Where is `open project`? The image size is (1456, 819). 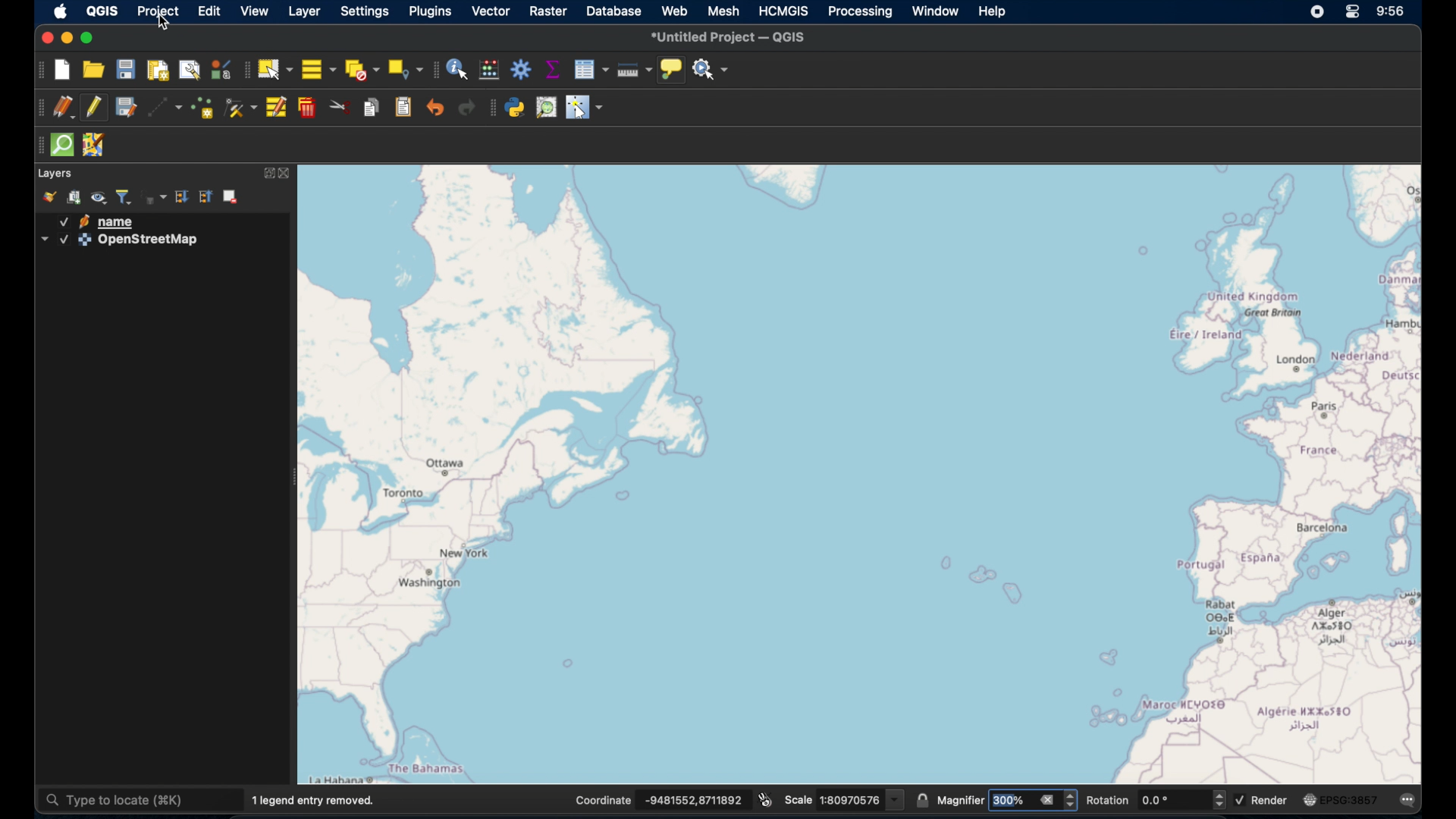
open project is located at coordinates (93, 71).